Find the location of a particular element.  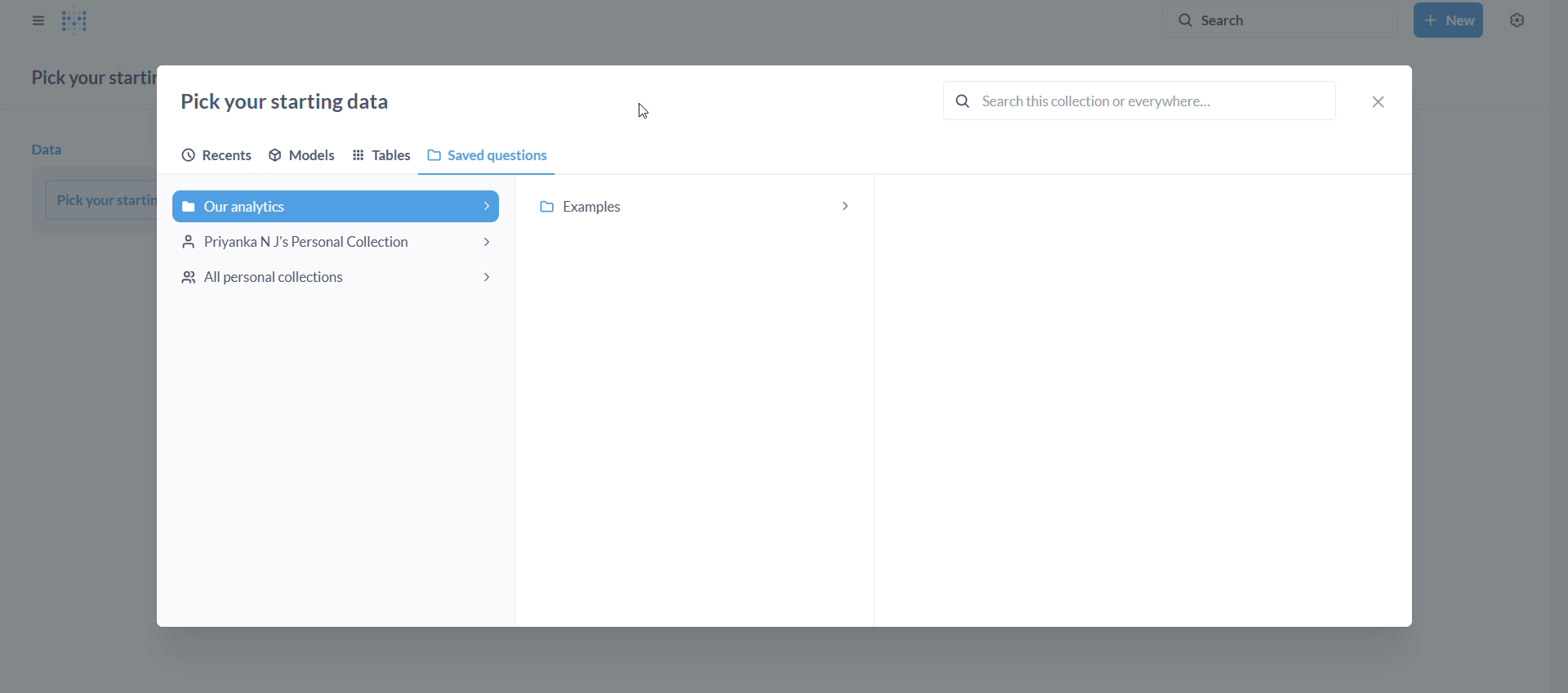

all personal collections is located at coordinates (336, 278).